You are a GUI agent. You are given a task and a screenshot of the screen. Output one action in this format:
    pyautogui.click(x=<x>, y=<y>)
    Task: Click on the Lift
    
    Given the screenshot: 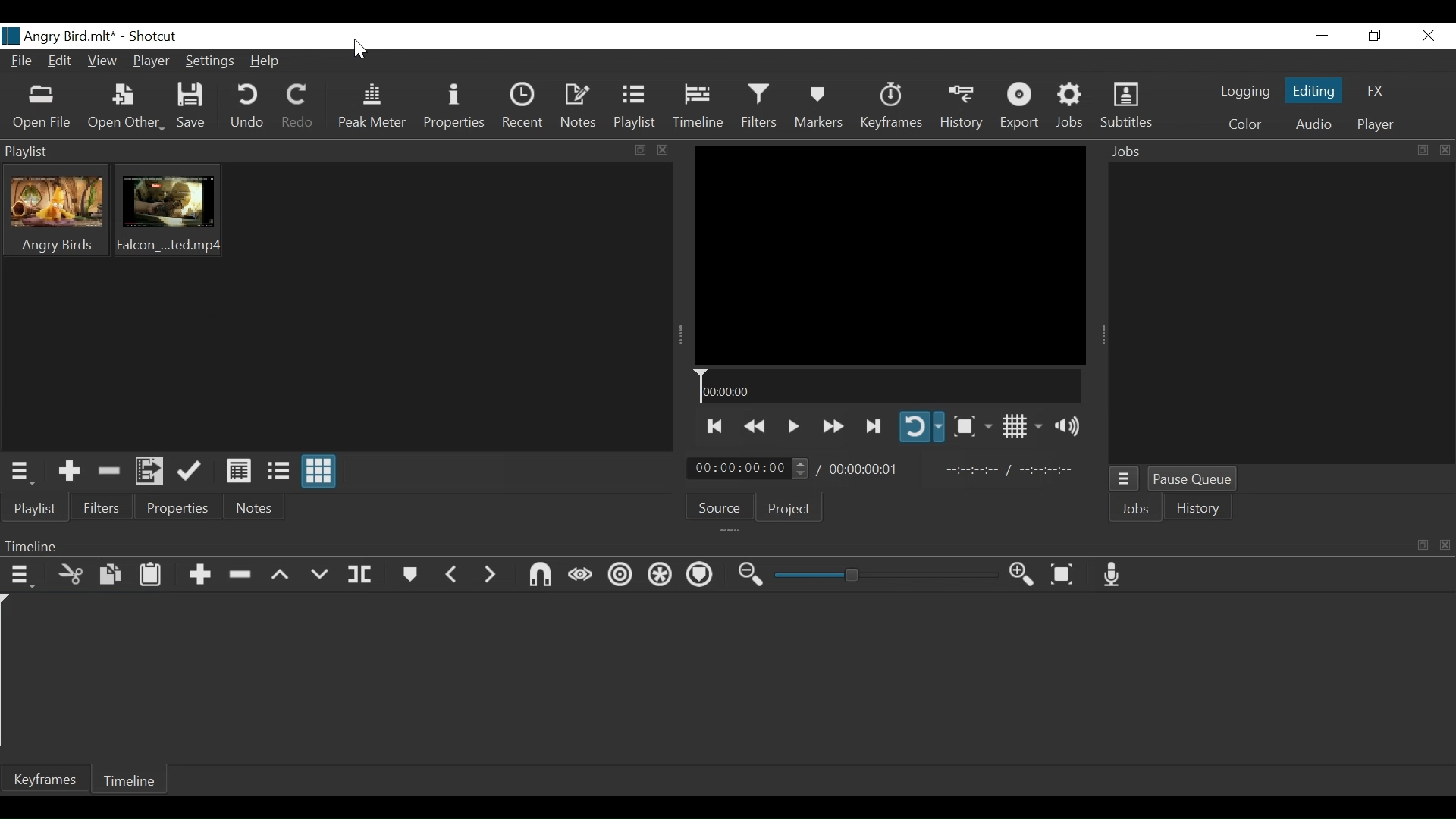 What is the action you would take?
    pyautogui.click(x=278, y=576)
    